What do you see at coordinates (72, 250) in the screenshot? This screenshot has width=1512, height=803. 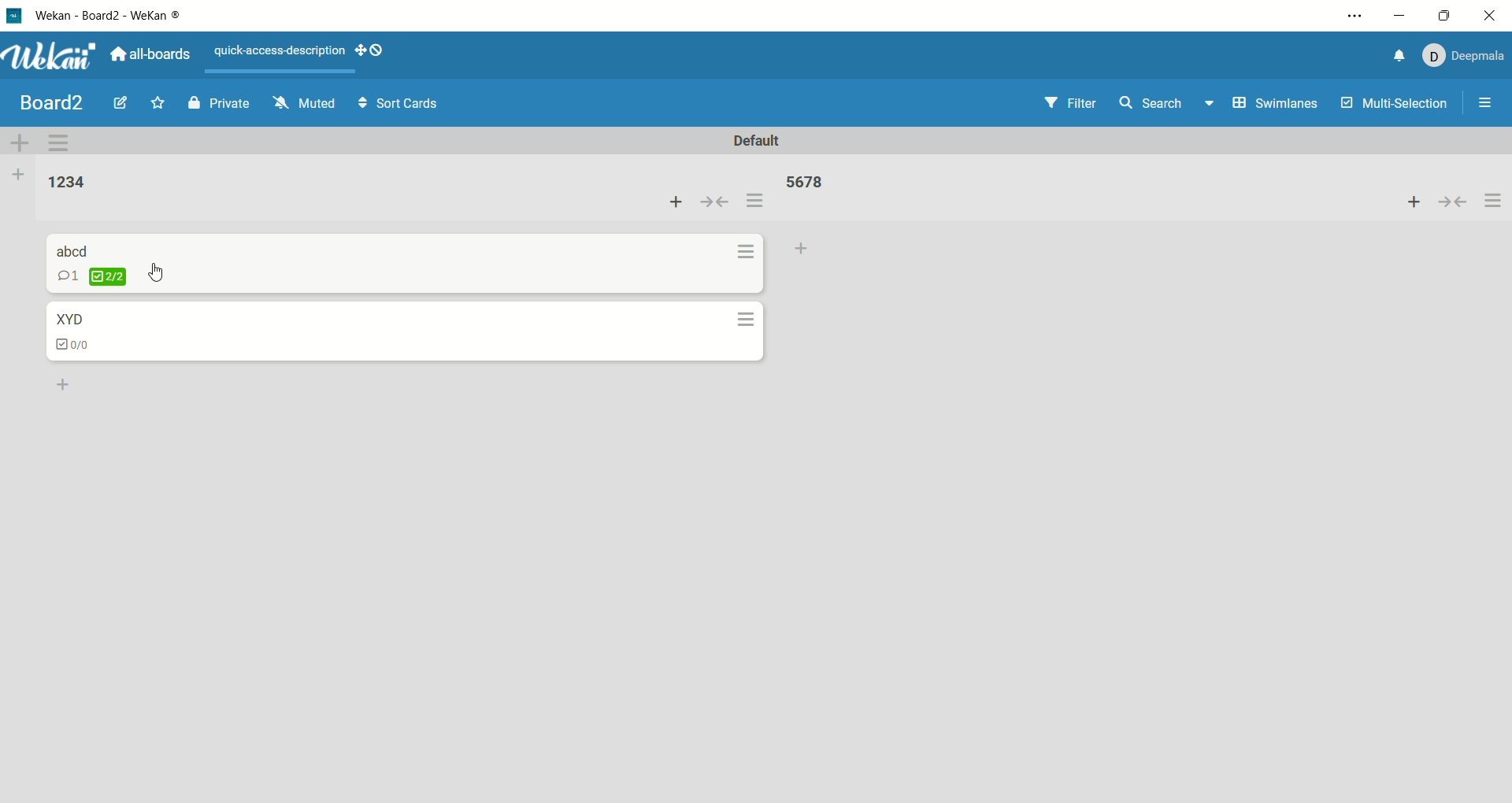 I see `card title` at bounding box center [72, 250].